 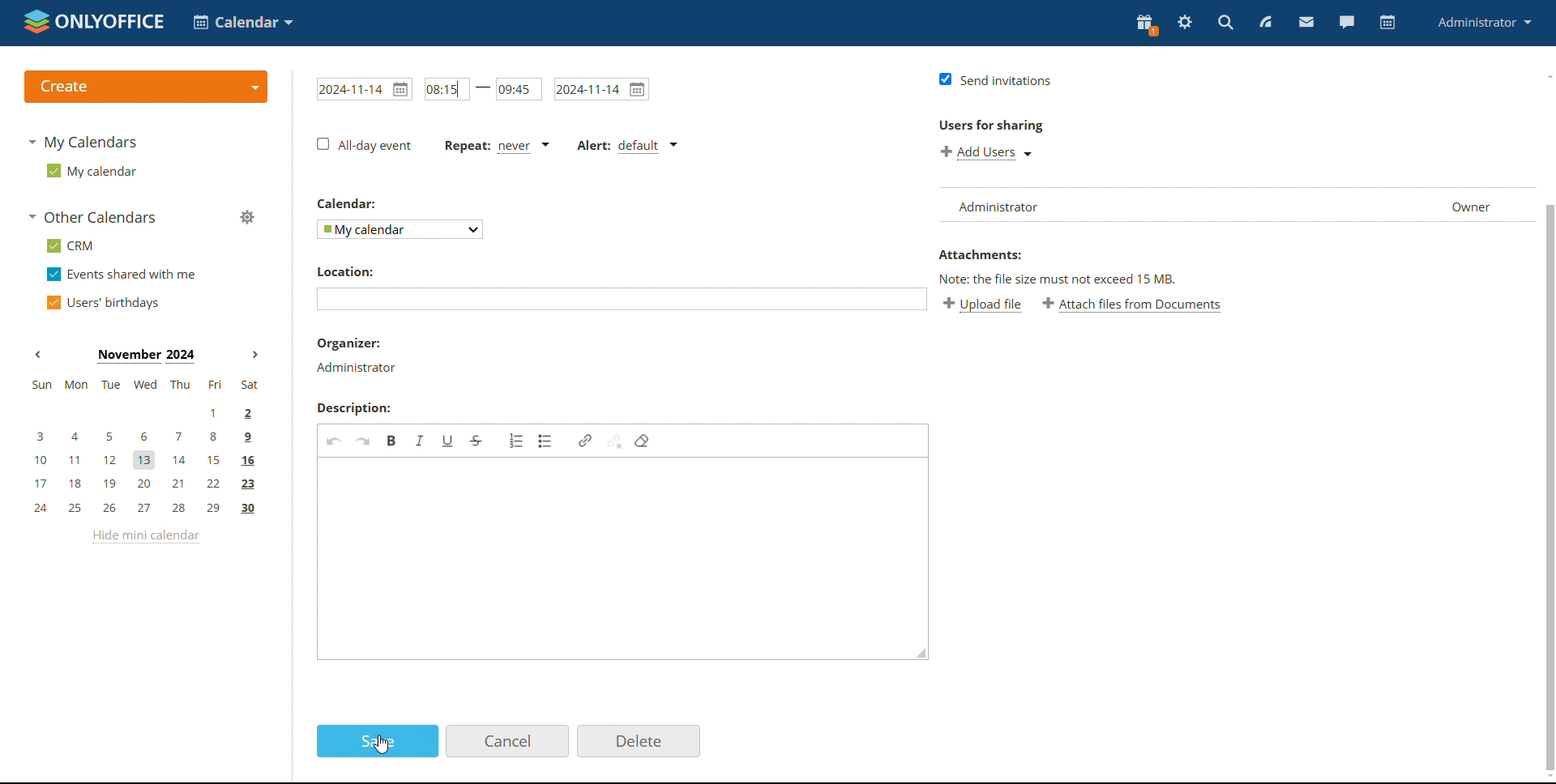 I want to click on manage, so click(x=246, y=218).